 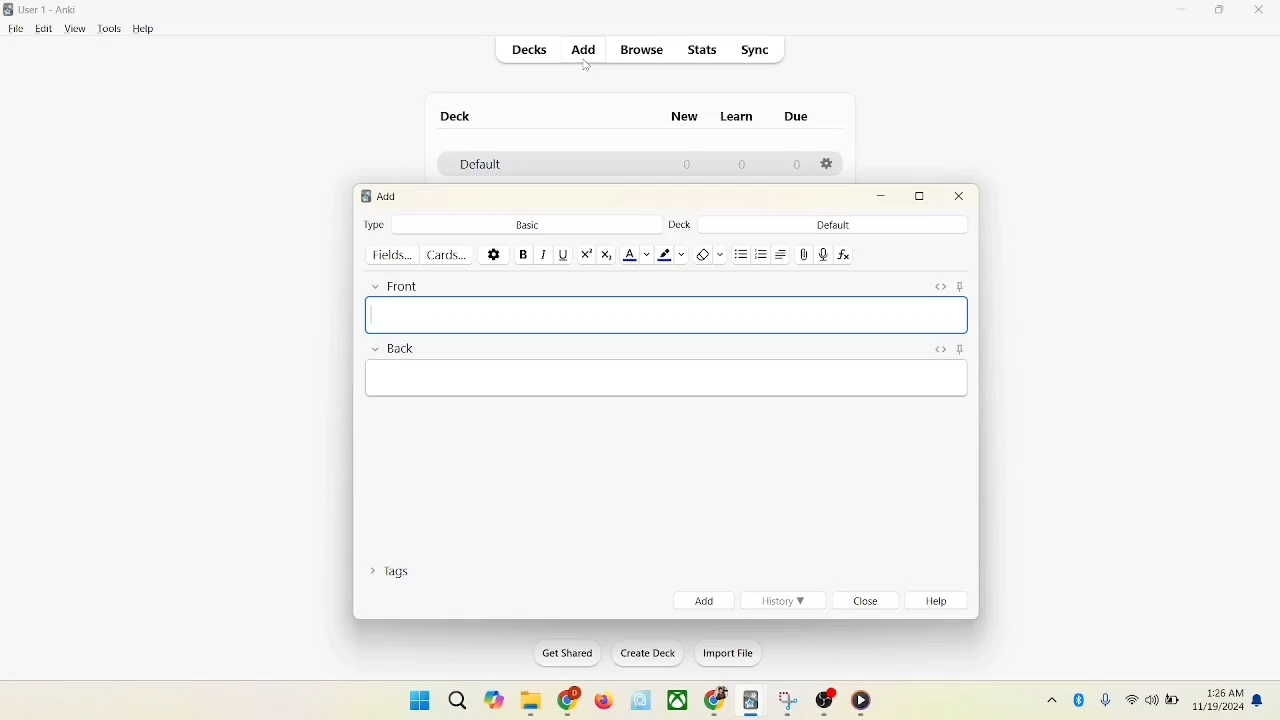 I want to click on underline, so click(x=562, y=254).